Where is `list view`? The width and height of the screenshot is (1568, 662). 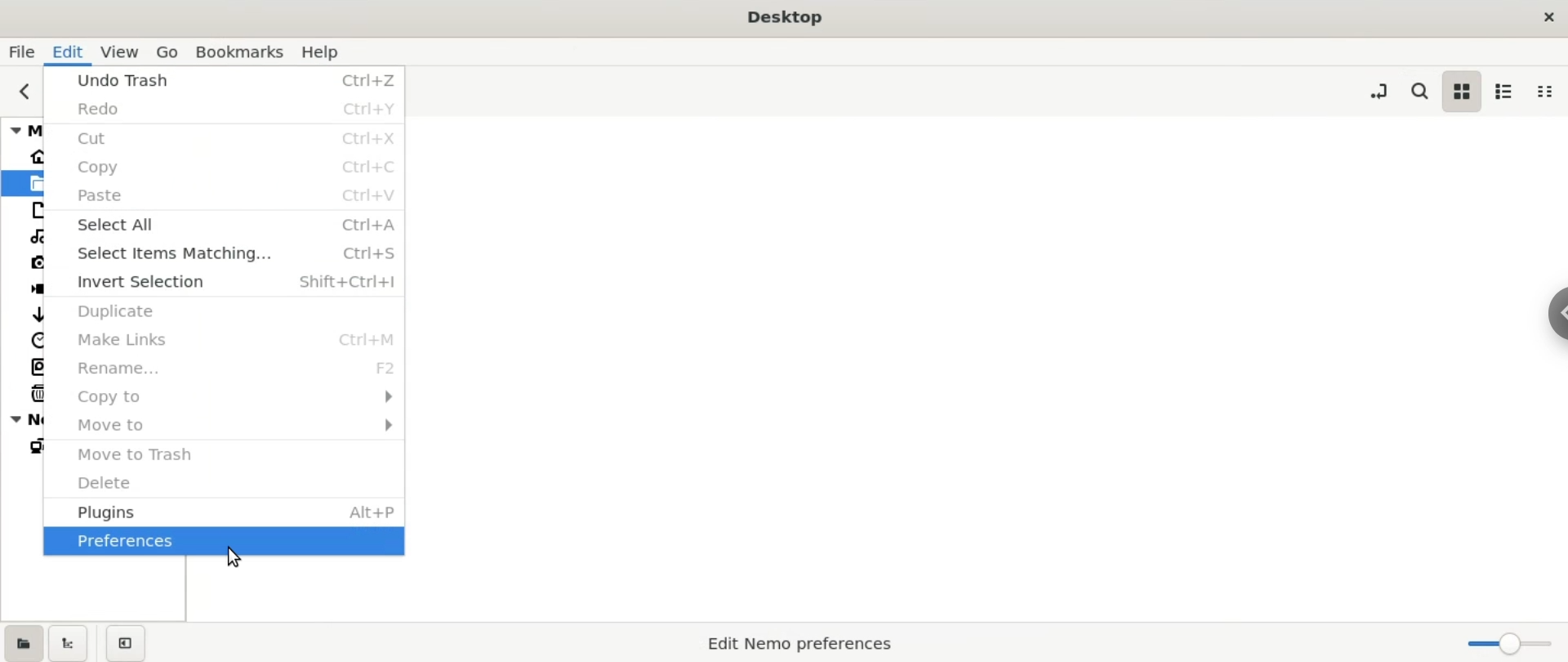 list view is located at coordinates (1506, 91).